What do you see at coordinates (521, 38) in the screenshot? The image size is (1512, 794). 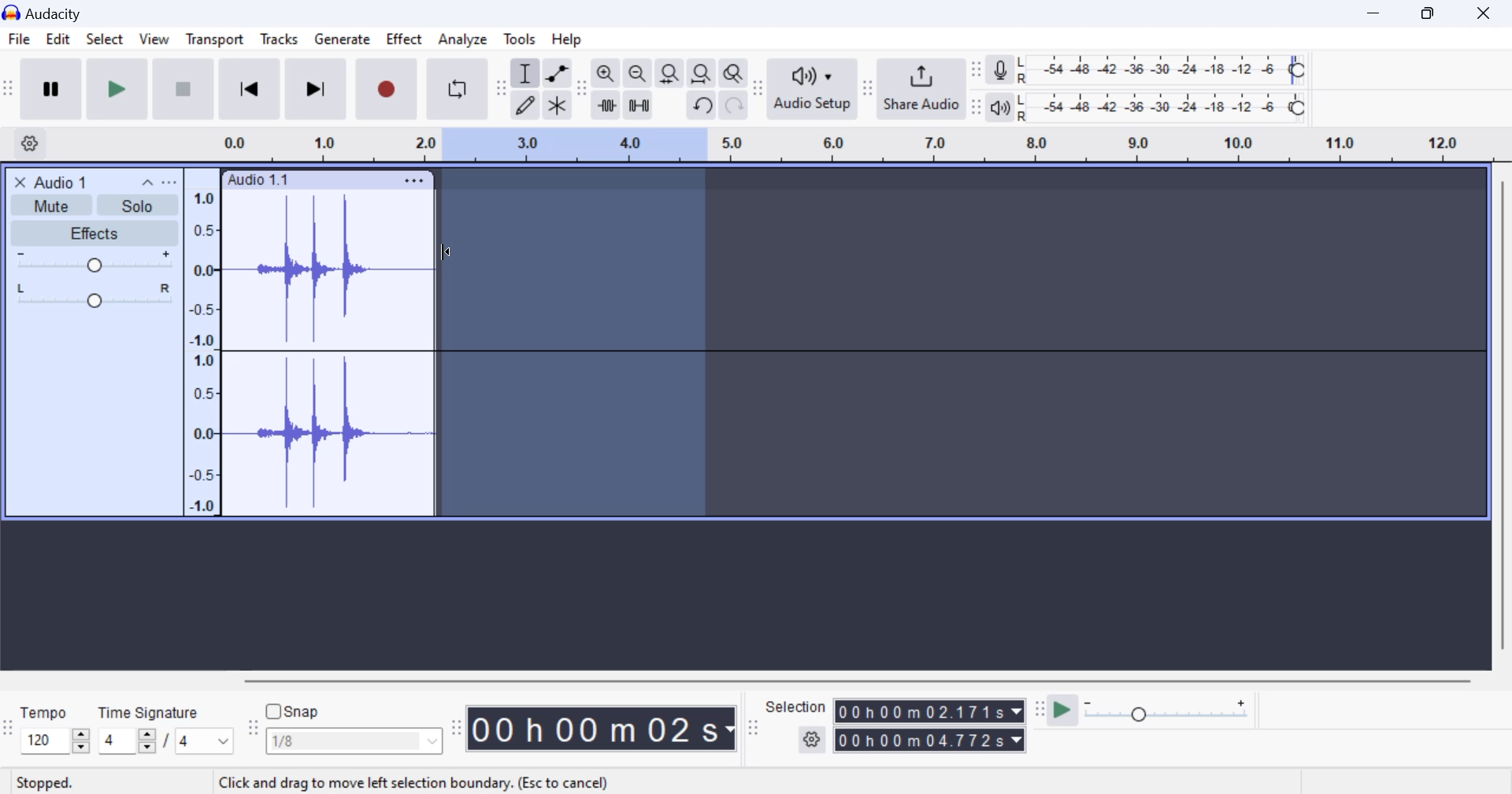 I see `Tools` at bounding box center [521, 38].